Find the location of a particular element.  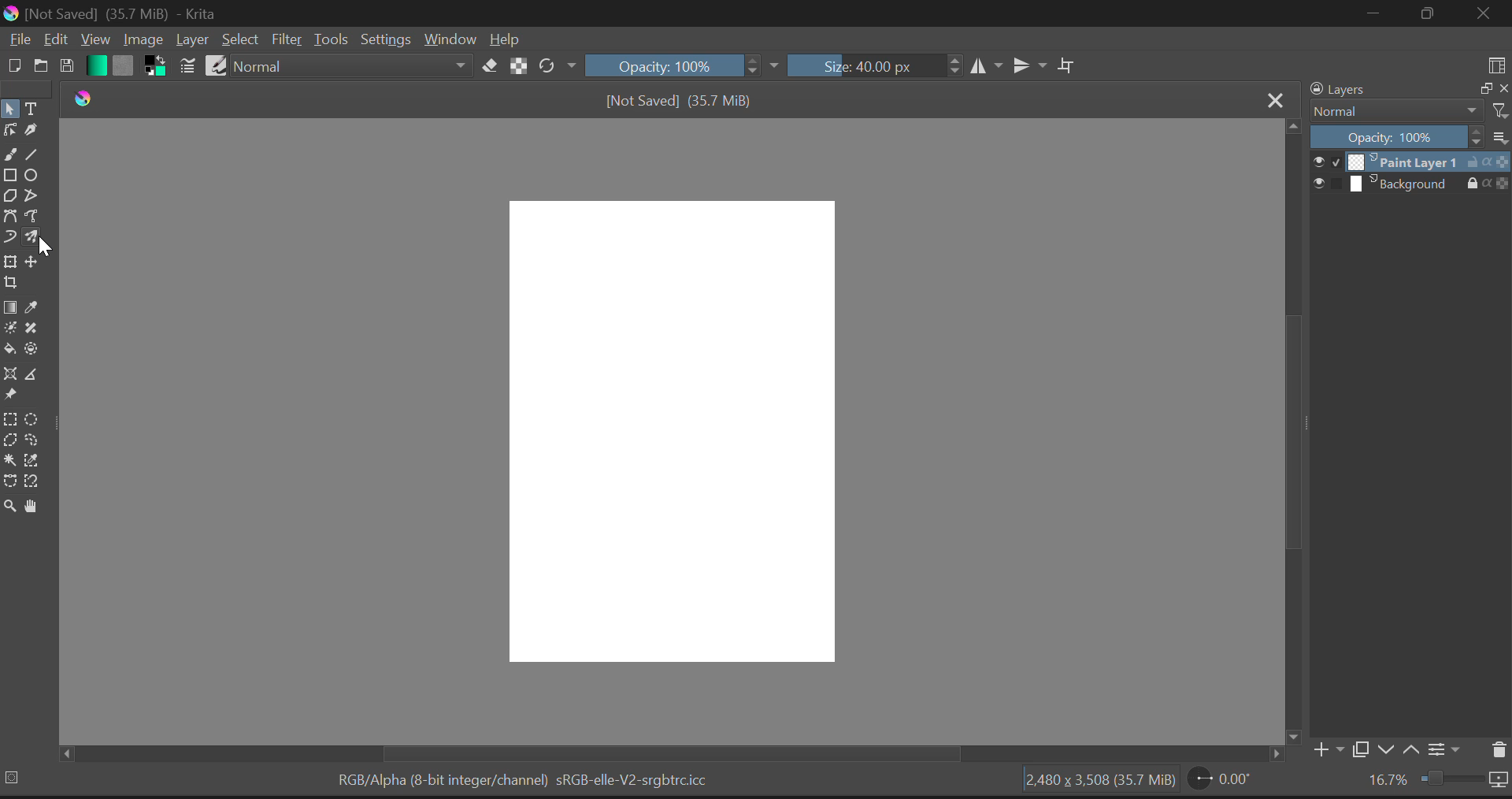

Settings is located at coordinates (387, 40).